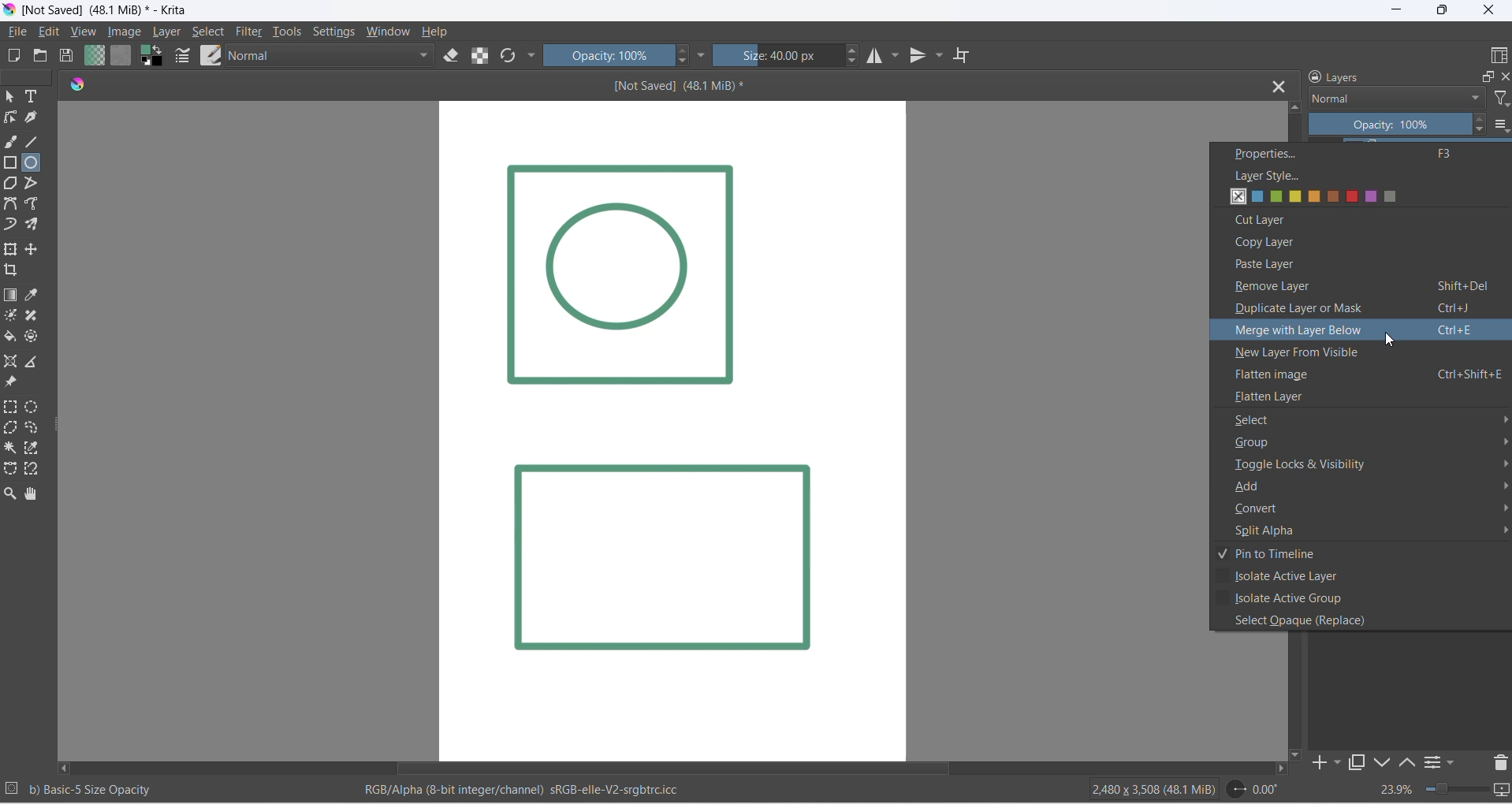  I want to click on layer style, so click(1351, 173).